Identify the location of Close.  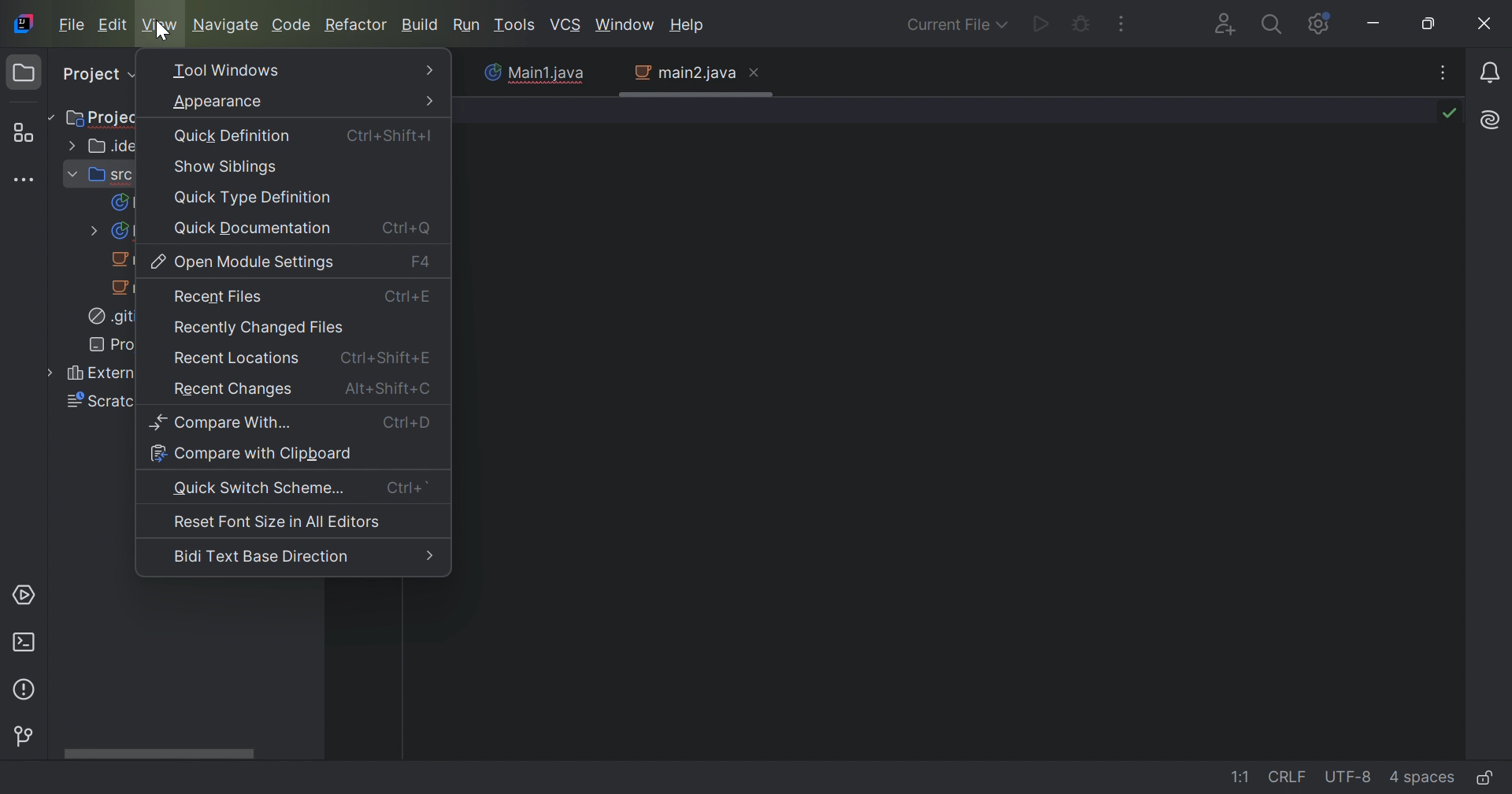
(754, 75).